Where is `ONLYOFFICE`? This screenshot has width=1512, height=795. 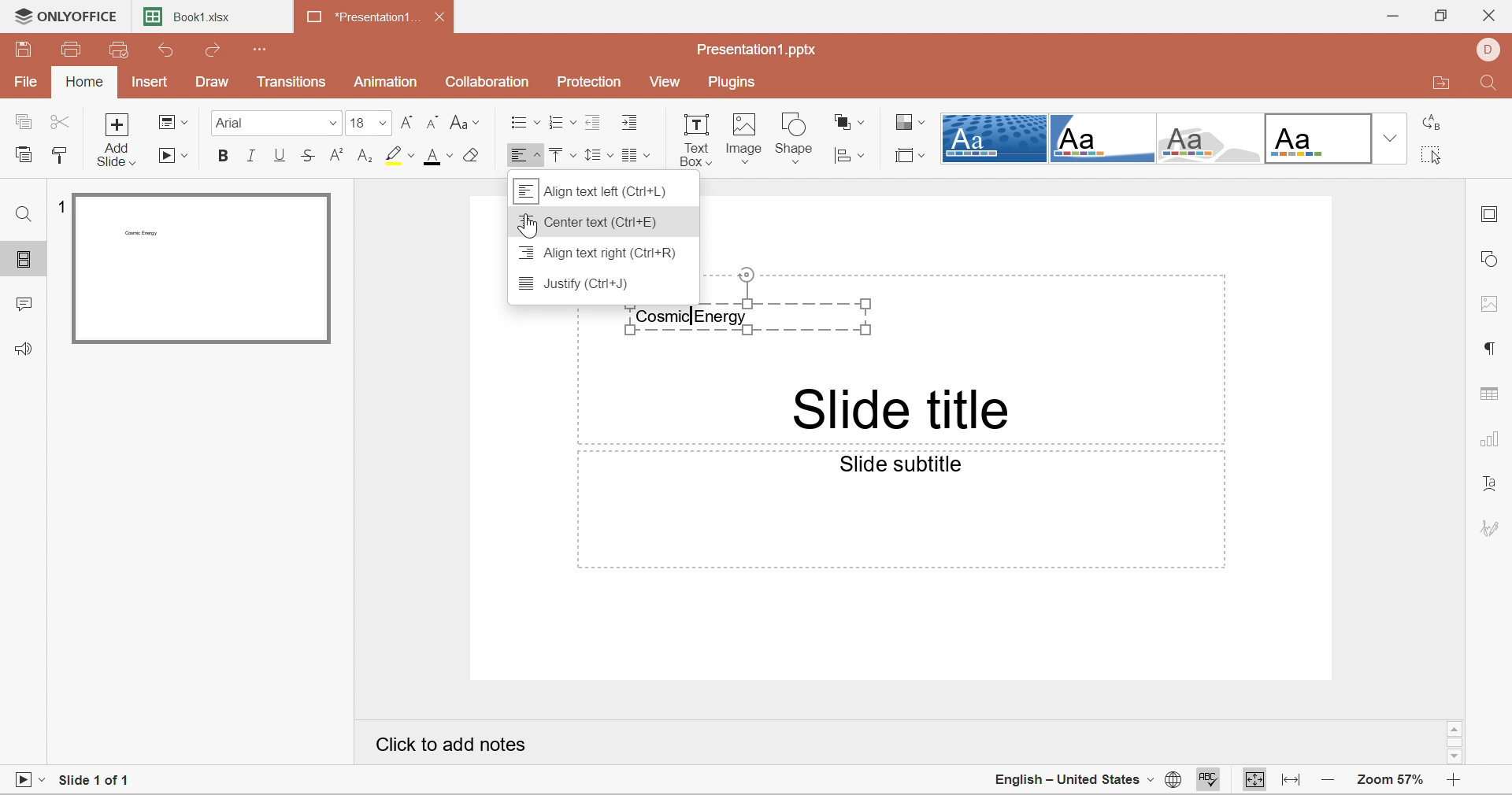
ONLYOFFICE is located at coordinates (67, 15).